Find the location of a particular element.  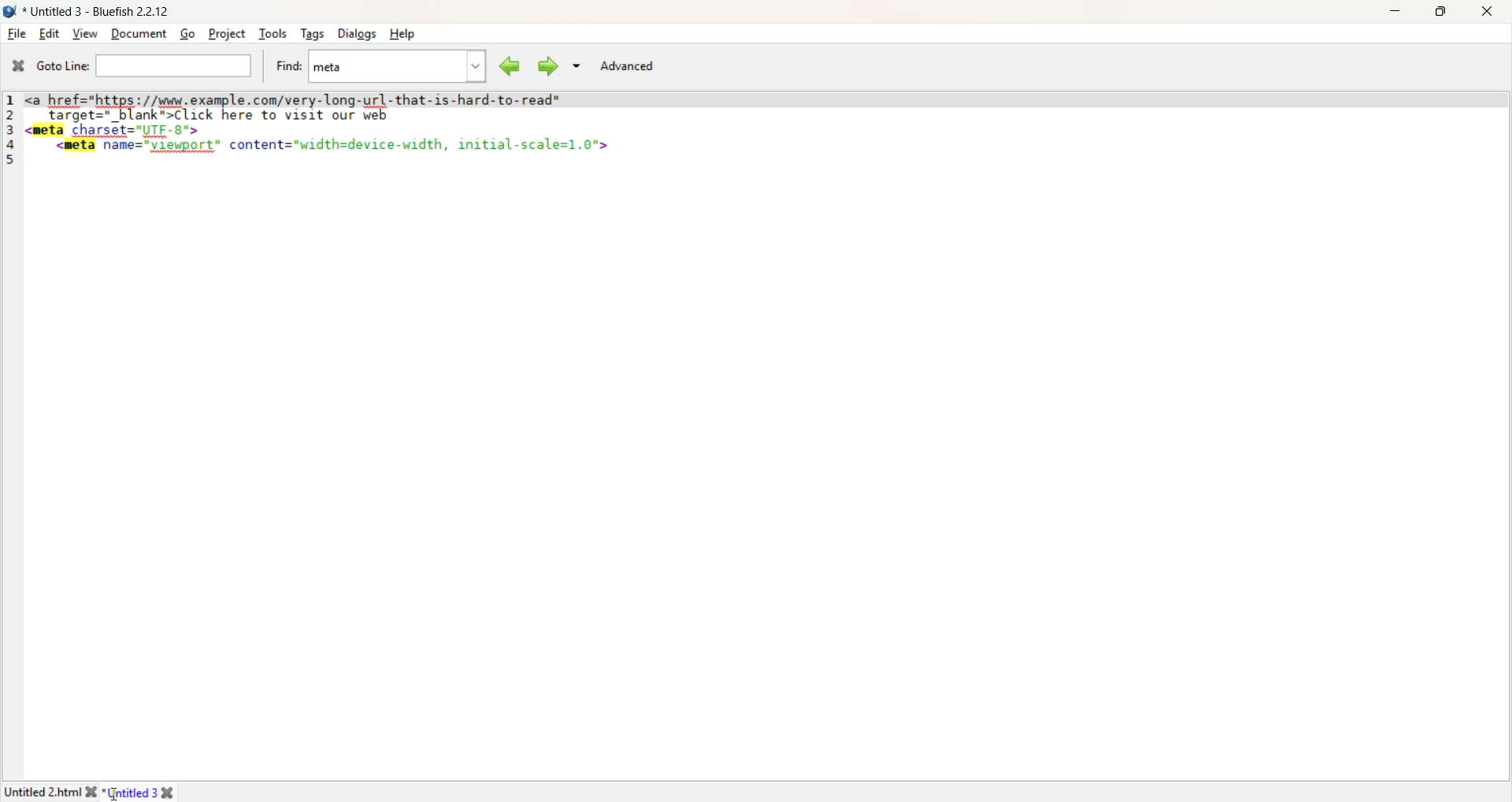

Maximize is located at coordinates (1440, 12).